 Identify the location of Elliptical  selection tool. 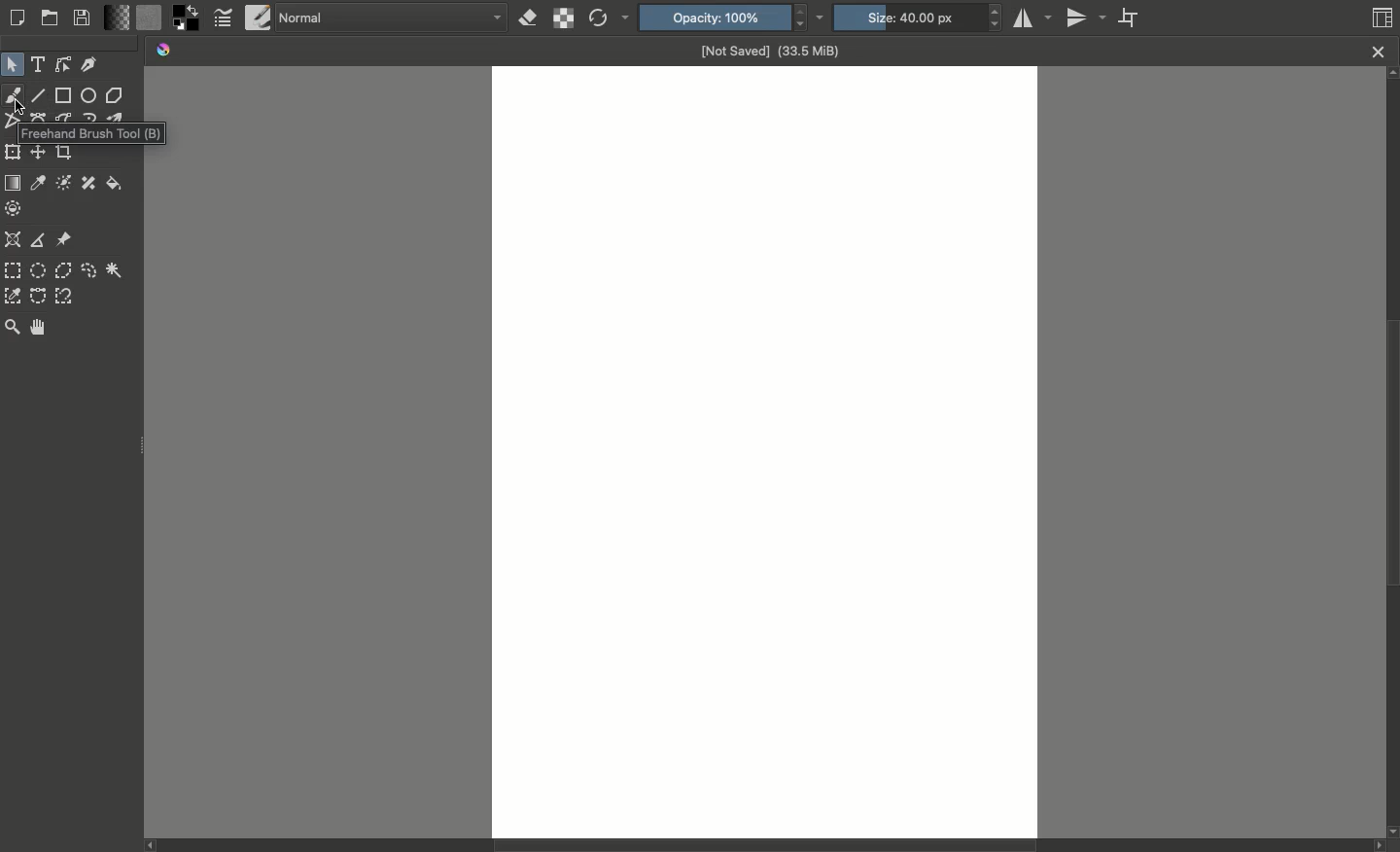
(39, 269).